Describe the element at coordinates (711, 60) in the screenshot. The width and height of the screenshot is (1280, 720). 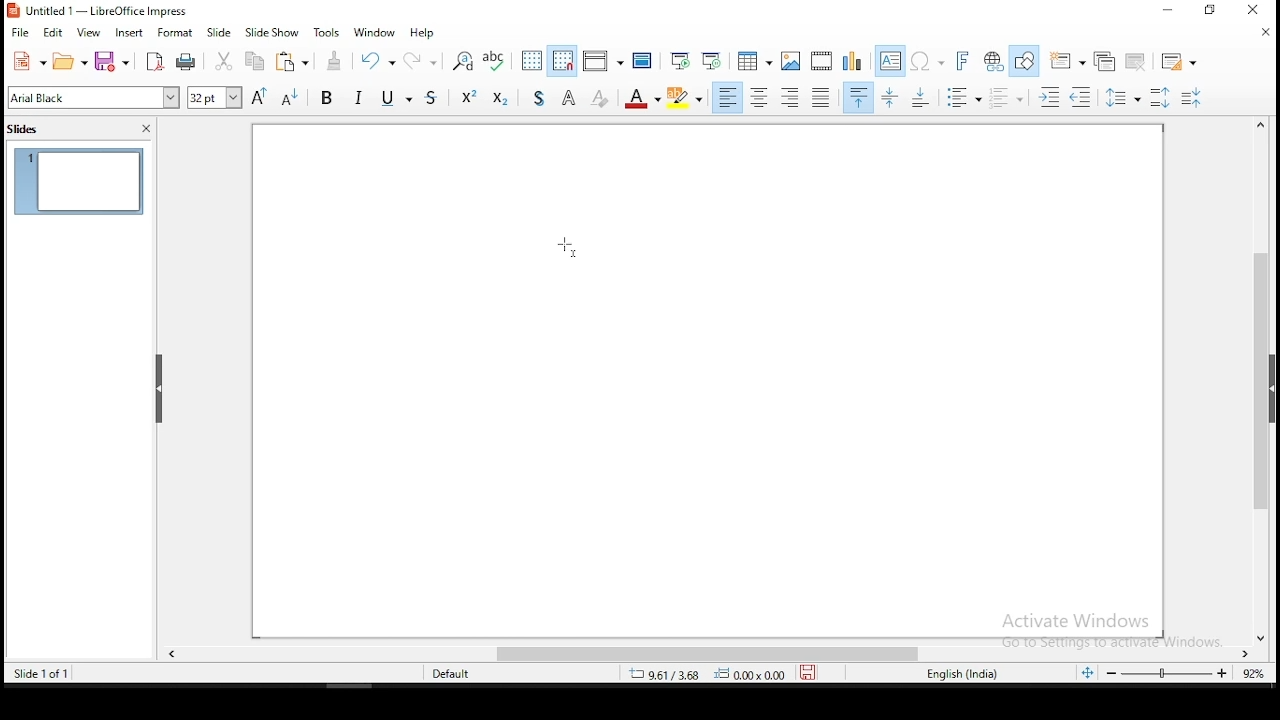
I see `start from current slide` at that location.